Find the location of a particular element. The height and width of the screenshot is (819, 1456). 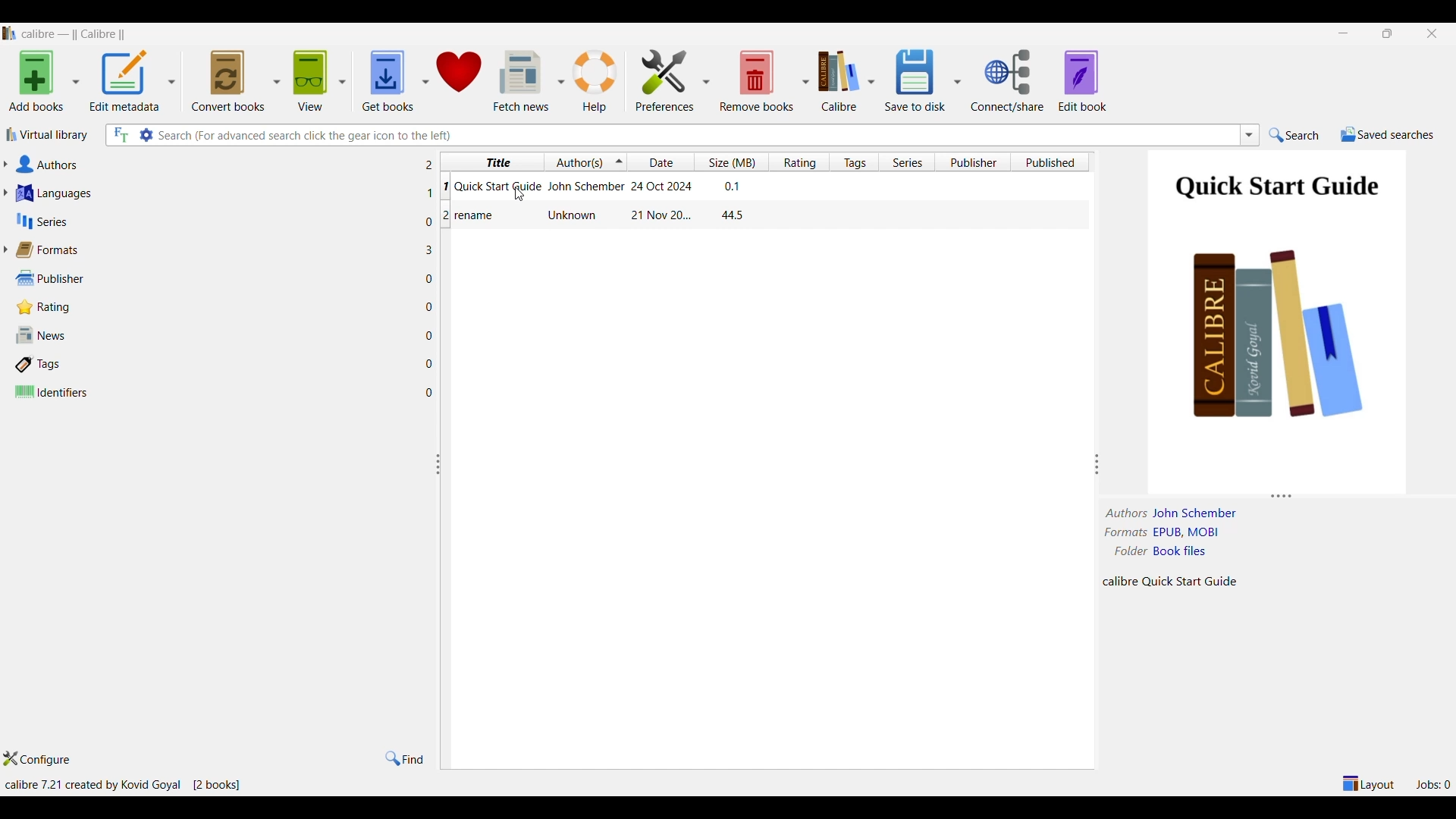

restore is located at coordinates (1388, 33).